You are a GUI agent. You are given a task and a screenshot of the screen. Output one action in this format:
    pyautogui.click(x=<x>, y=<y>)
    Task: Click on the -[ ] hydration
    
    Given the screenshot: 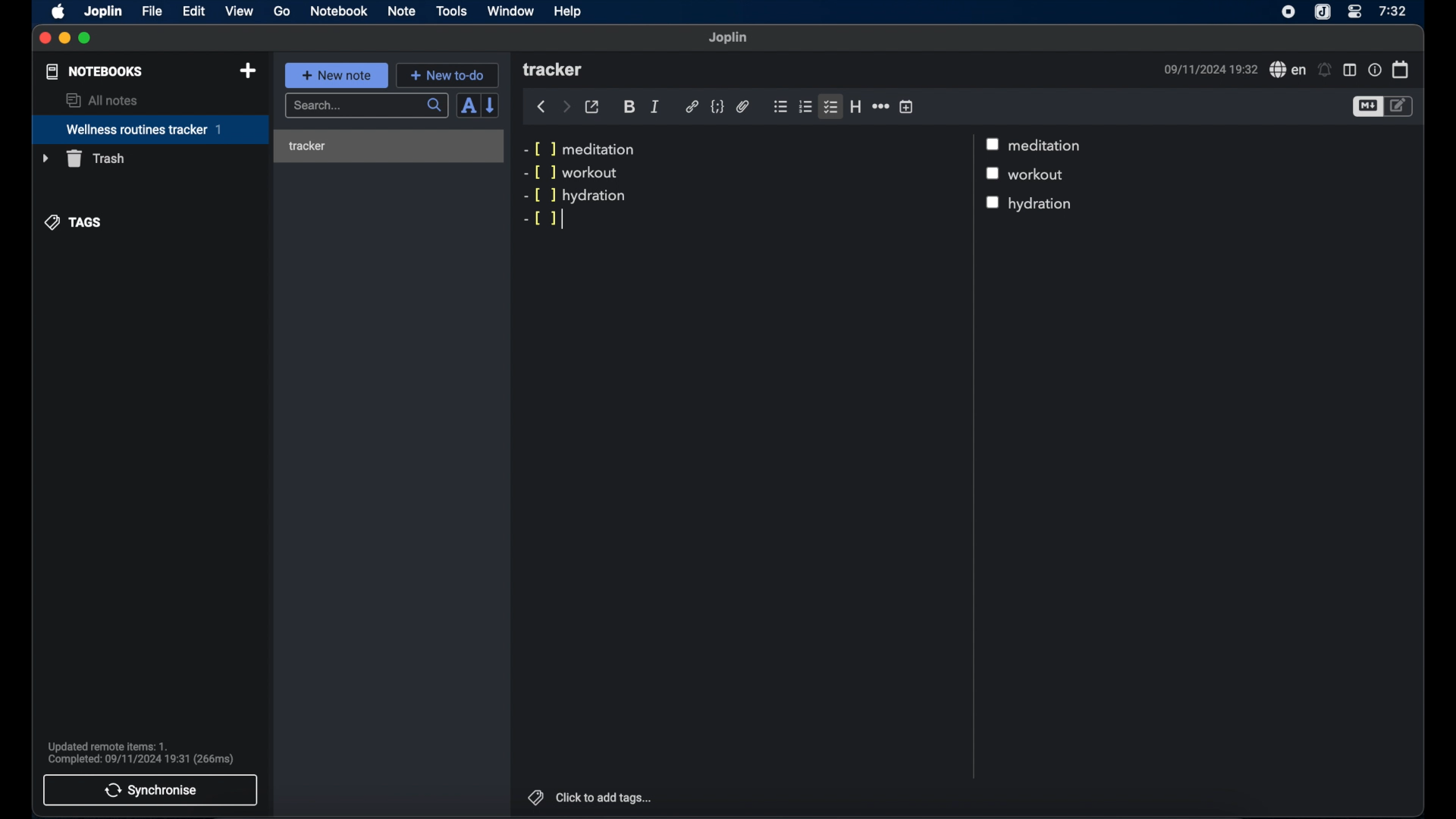 What is the action you would take?
    pyautogui.click(x=576, y=196)
    